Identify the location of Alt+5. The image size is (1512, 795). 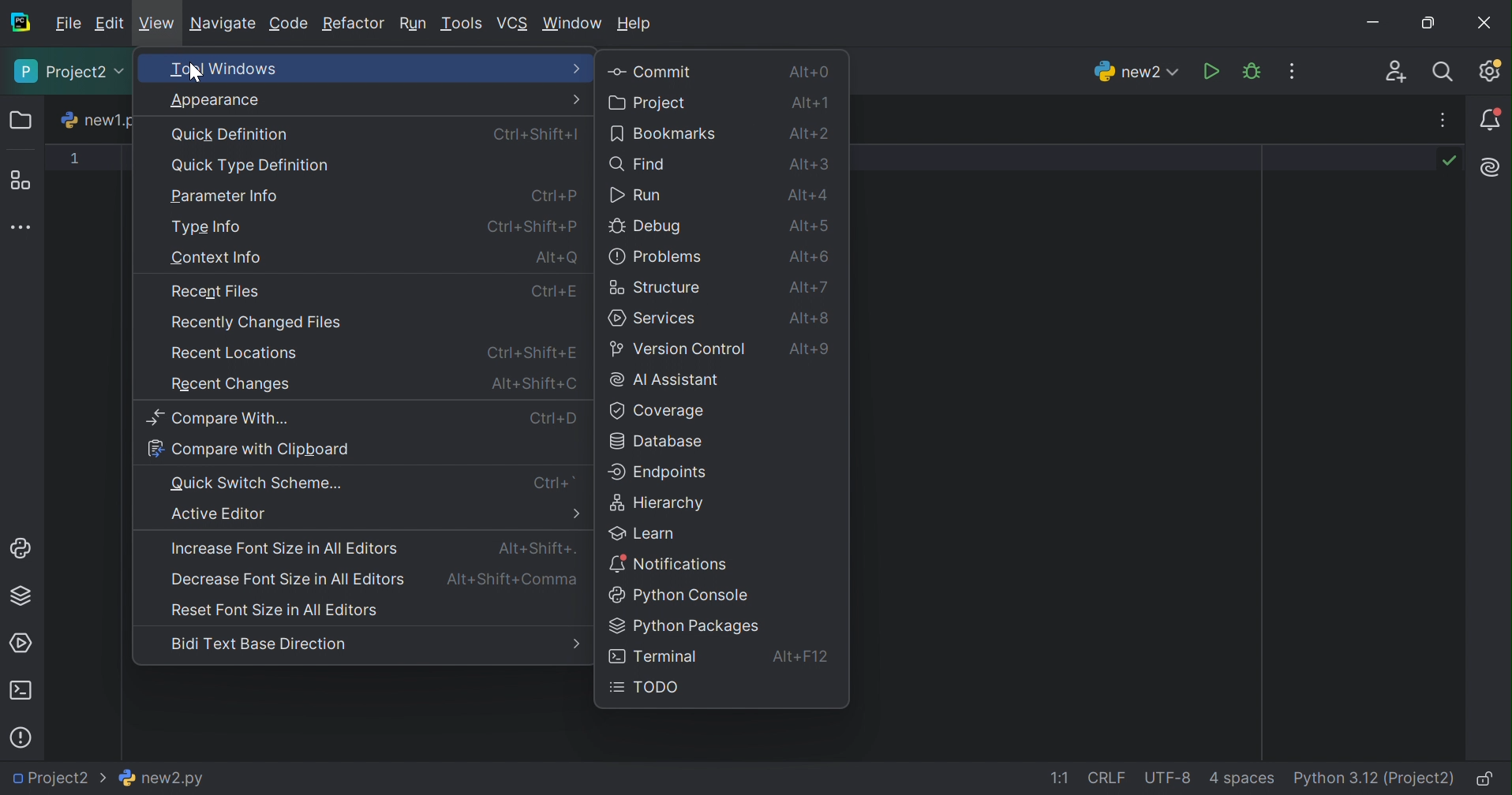
(812, 226).